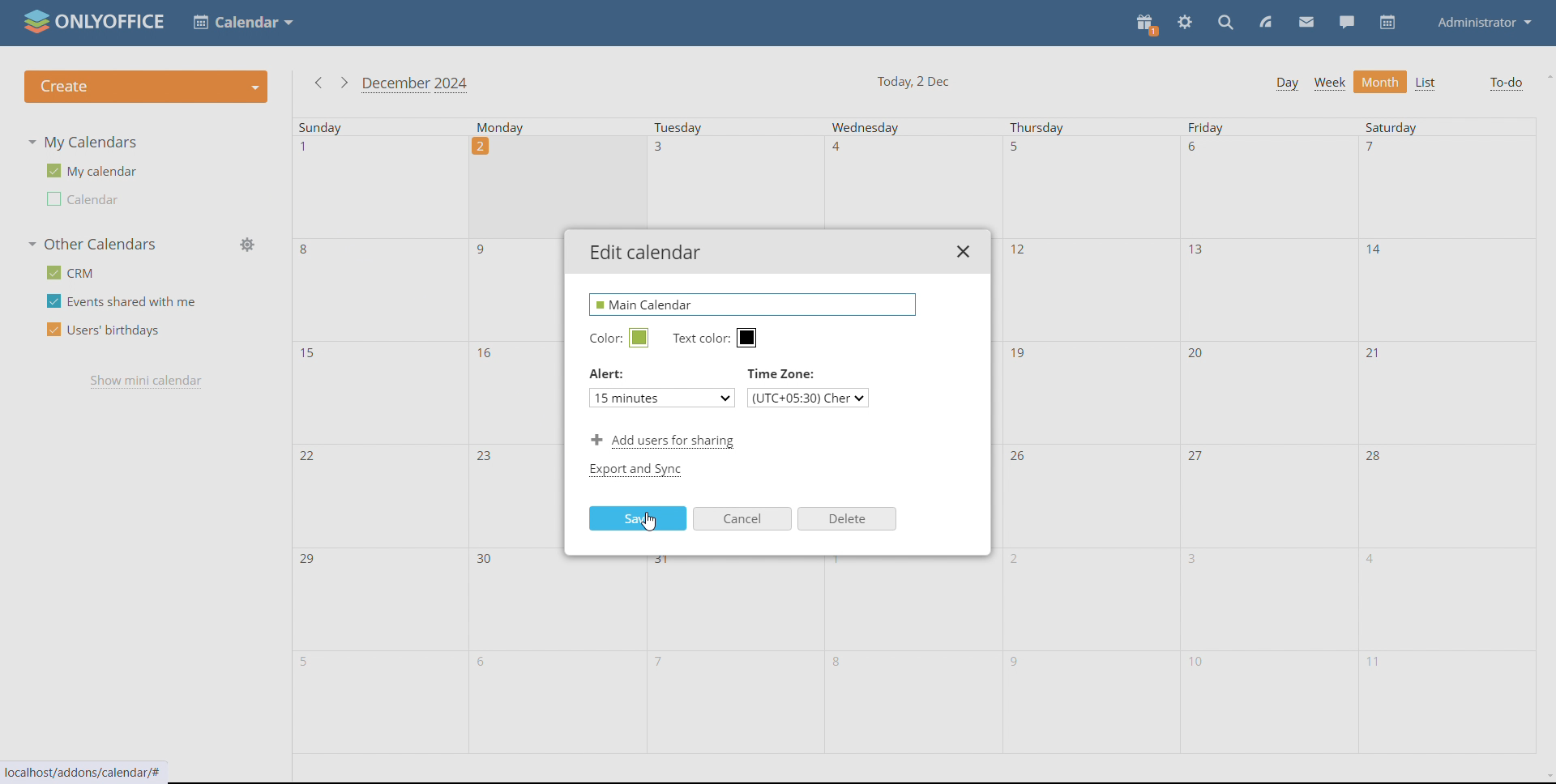 This screenshot has width=1556, height=784. I want to click on search, so click(1225, 24).